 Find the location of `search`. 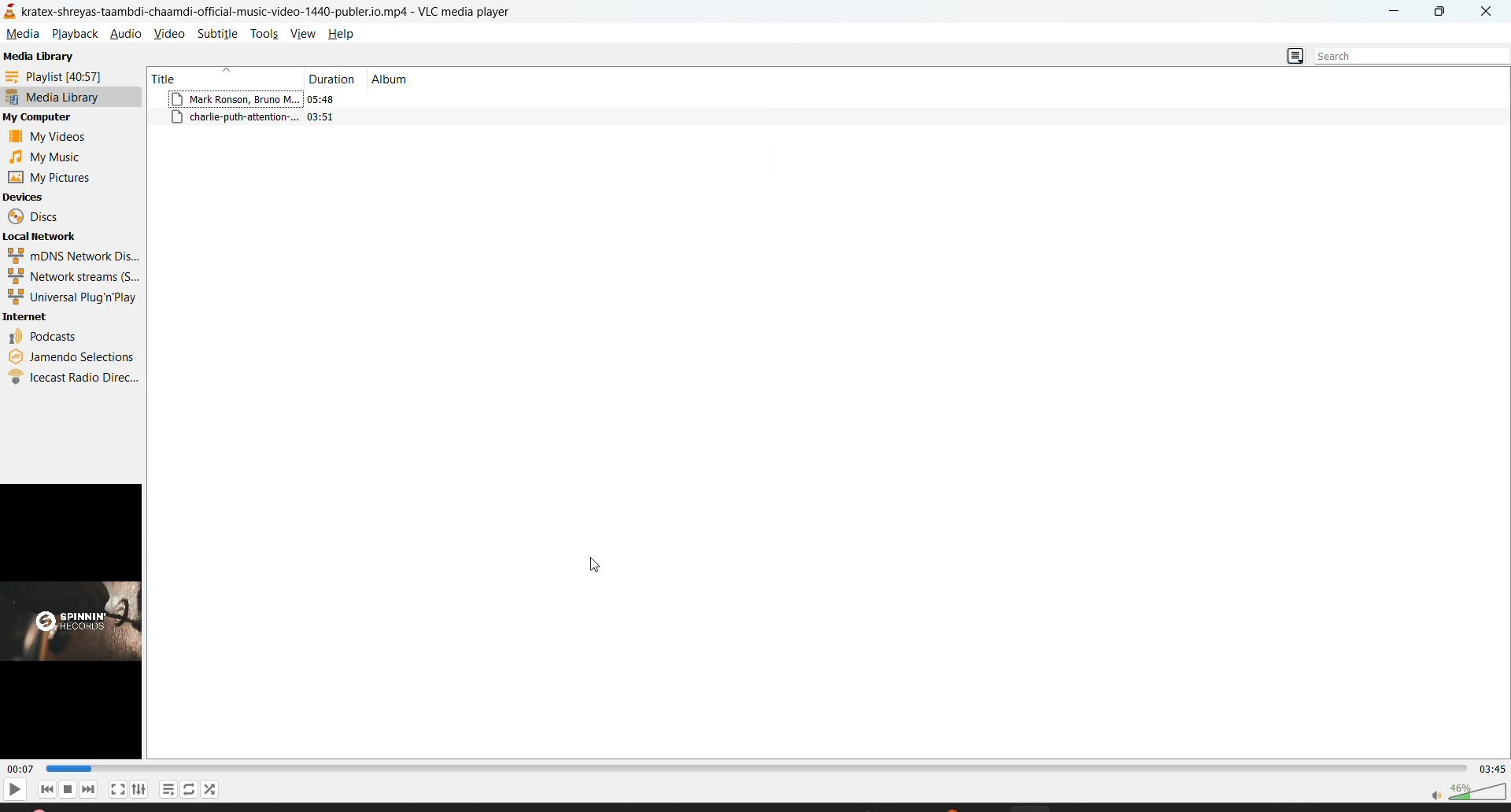

search is located at coordinates (1401, 53).